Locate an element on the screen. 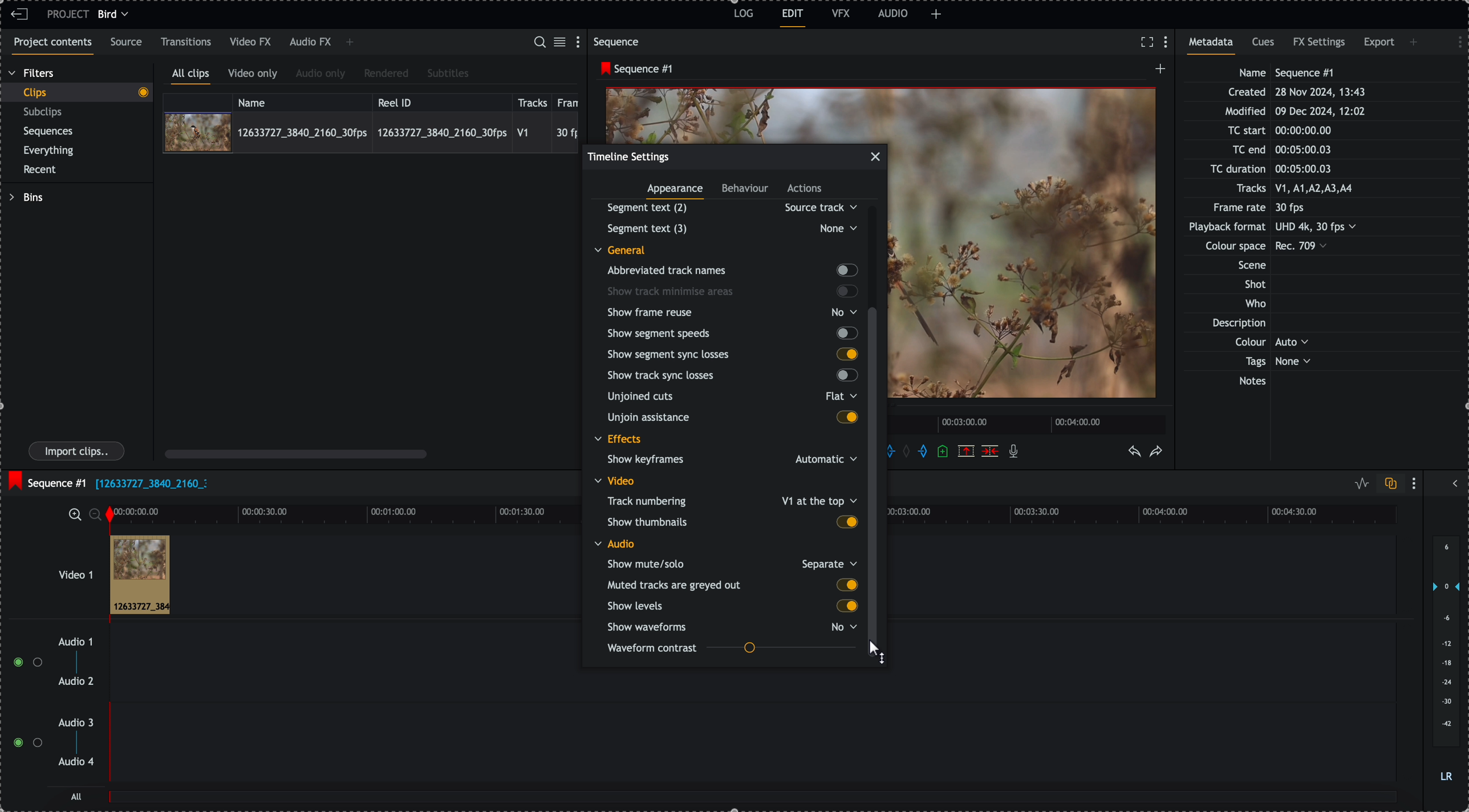 The image size is (1469, 812). picture is located at coordinates (1027, 250).